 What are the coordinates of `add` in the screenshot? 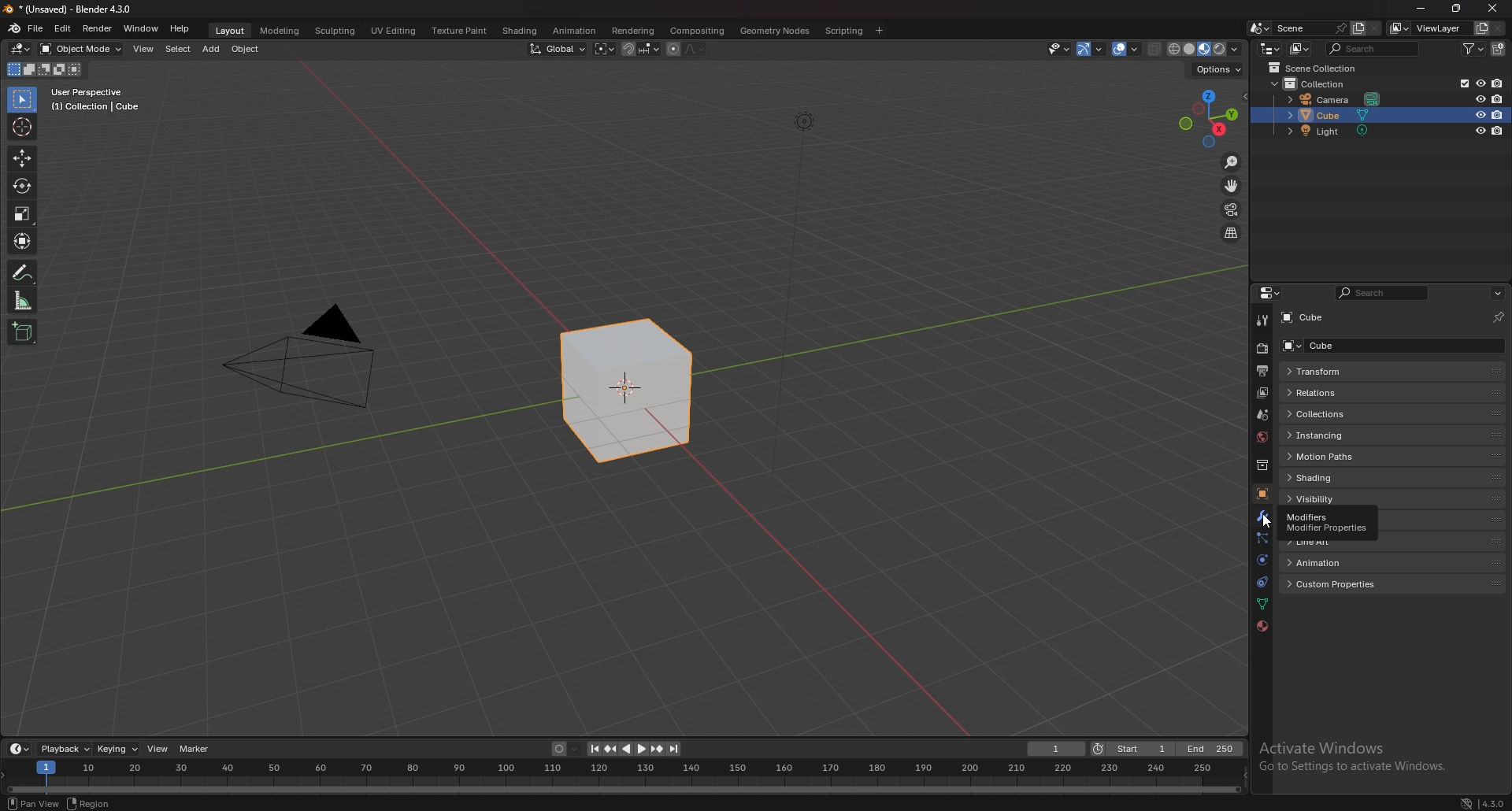 It's located at (212, 49).